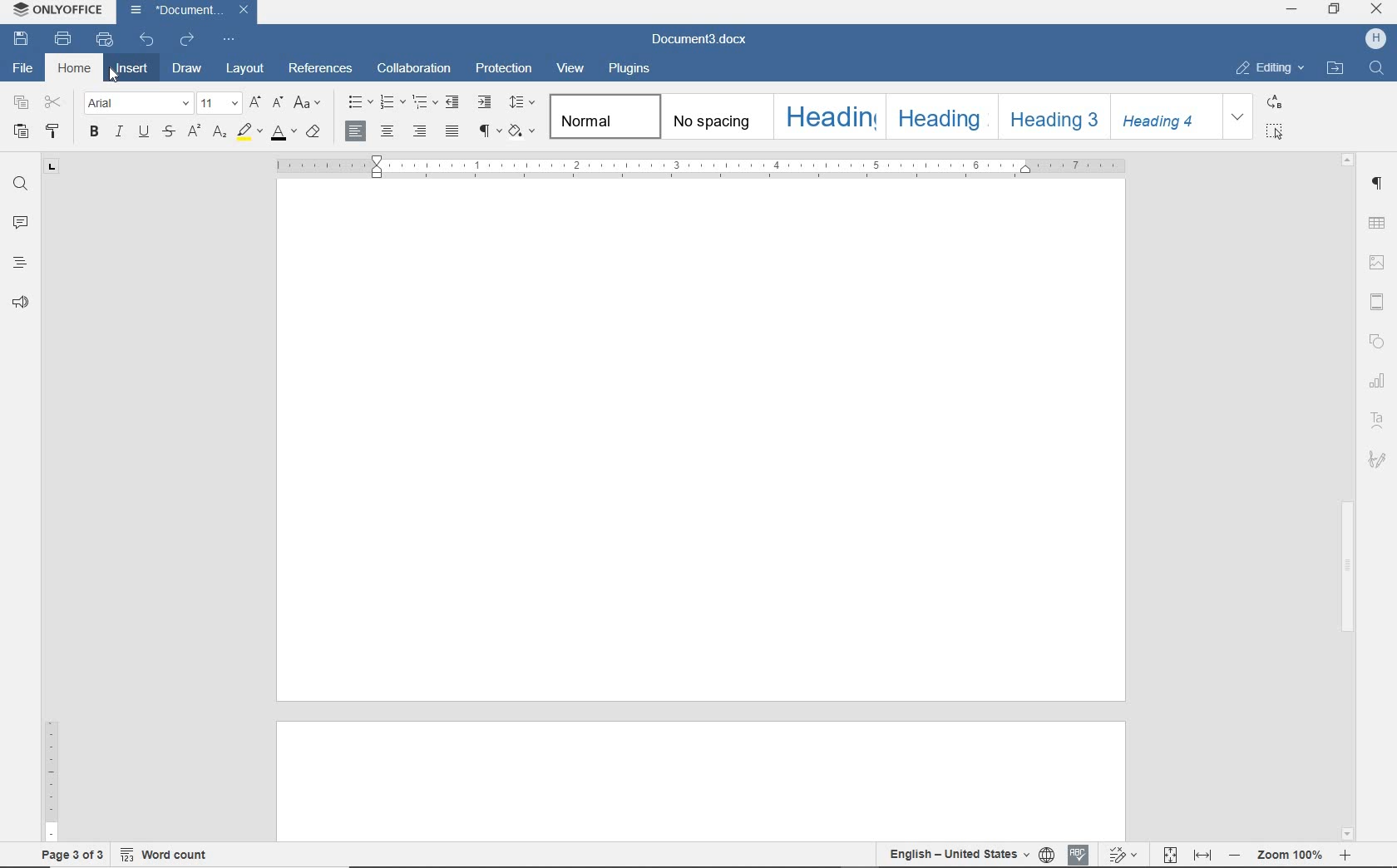  What do you see at coordinates (64, 39) in the screenshot?
I see `PRINT` at bounding box center [64, 39].